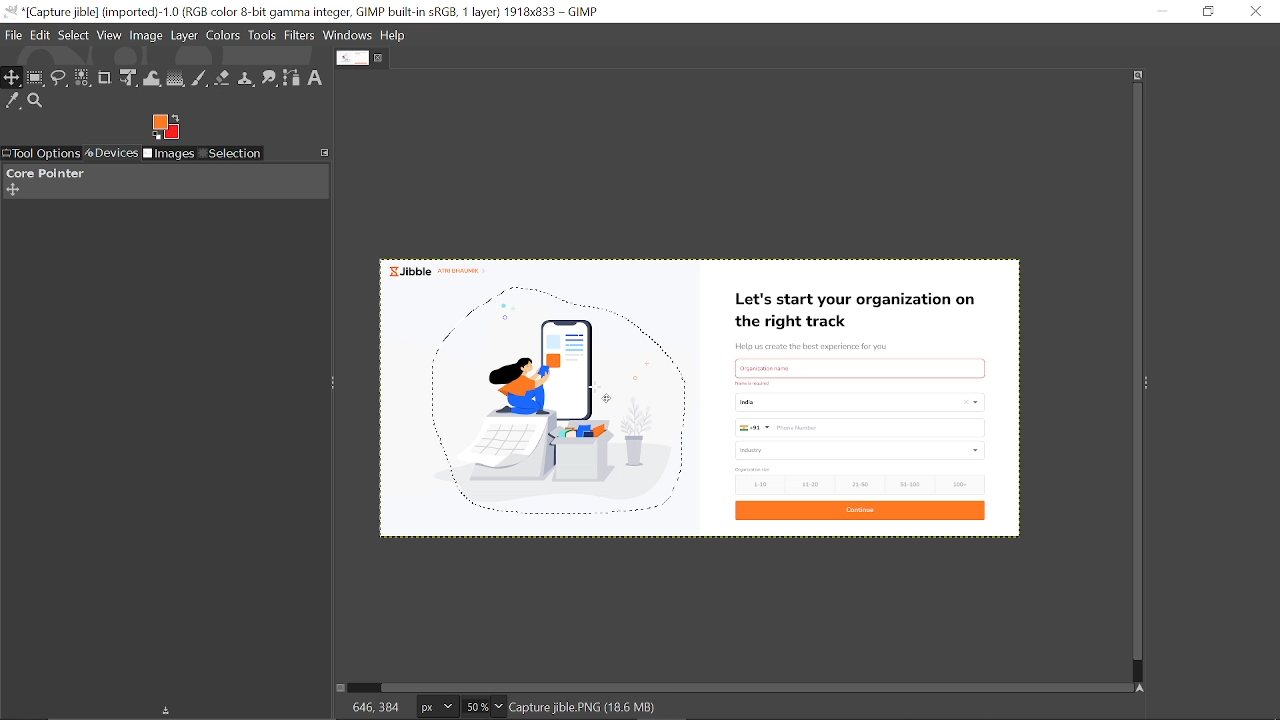 The width and height of the screenshot is (1280, 720). Describe the element at coordinates (811, 347) in the screenshot. I see `Help us create the best experience for you` at that location.